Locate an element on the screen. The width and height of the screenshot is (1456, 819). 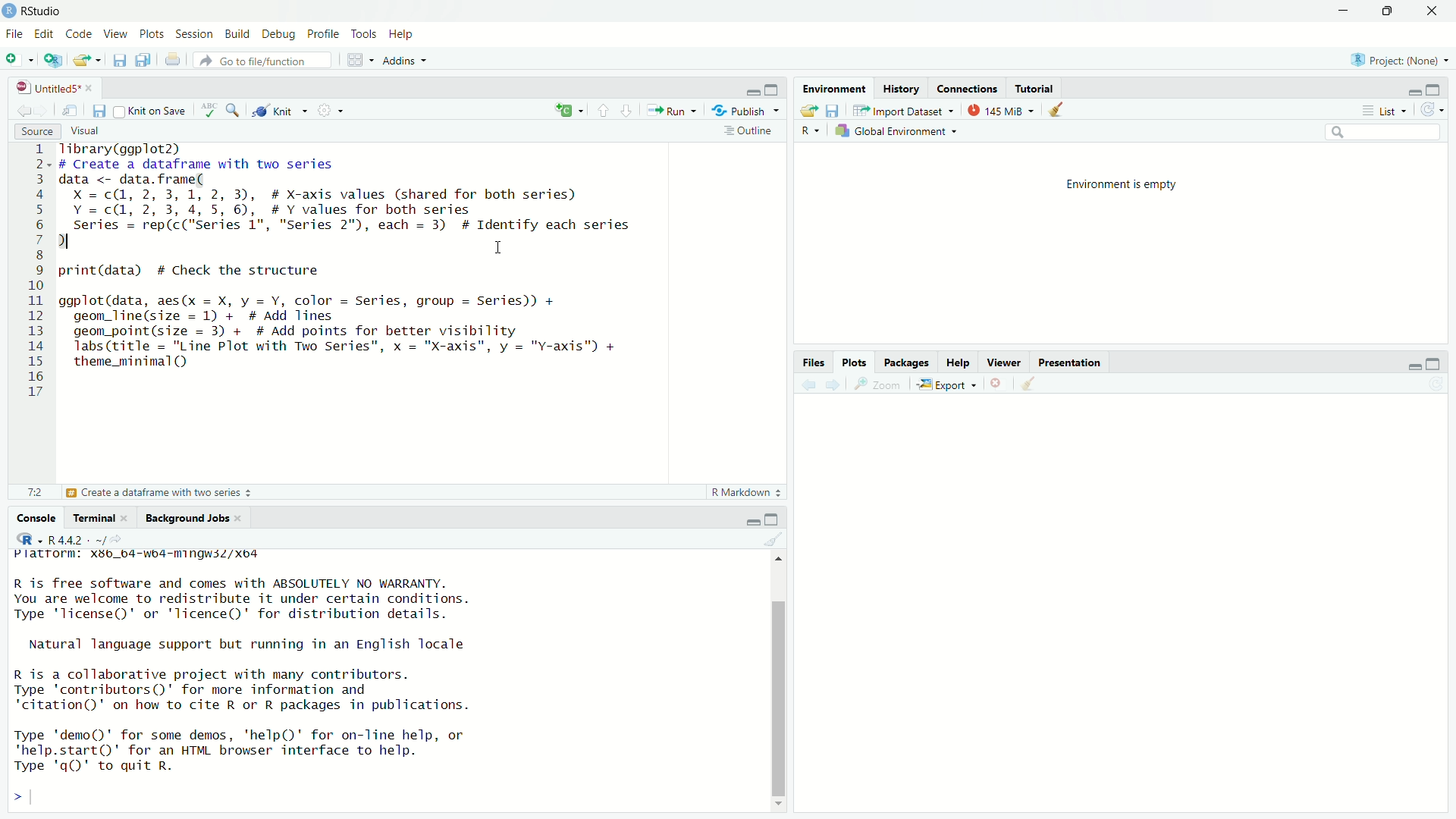
Show in new window is located at coordinates (71, 111).